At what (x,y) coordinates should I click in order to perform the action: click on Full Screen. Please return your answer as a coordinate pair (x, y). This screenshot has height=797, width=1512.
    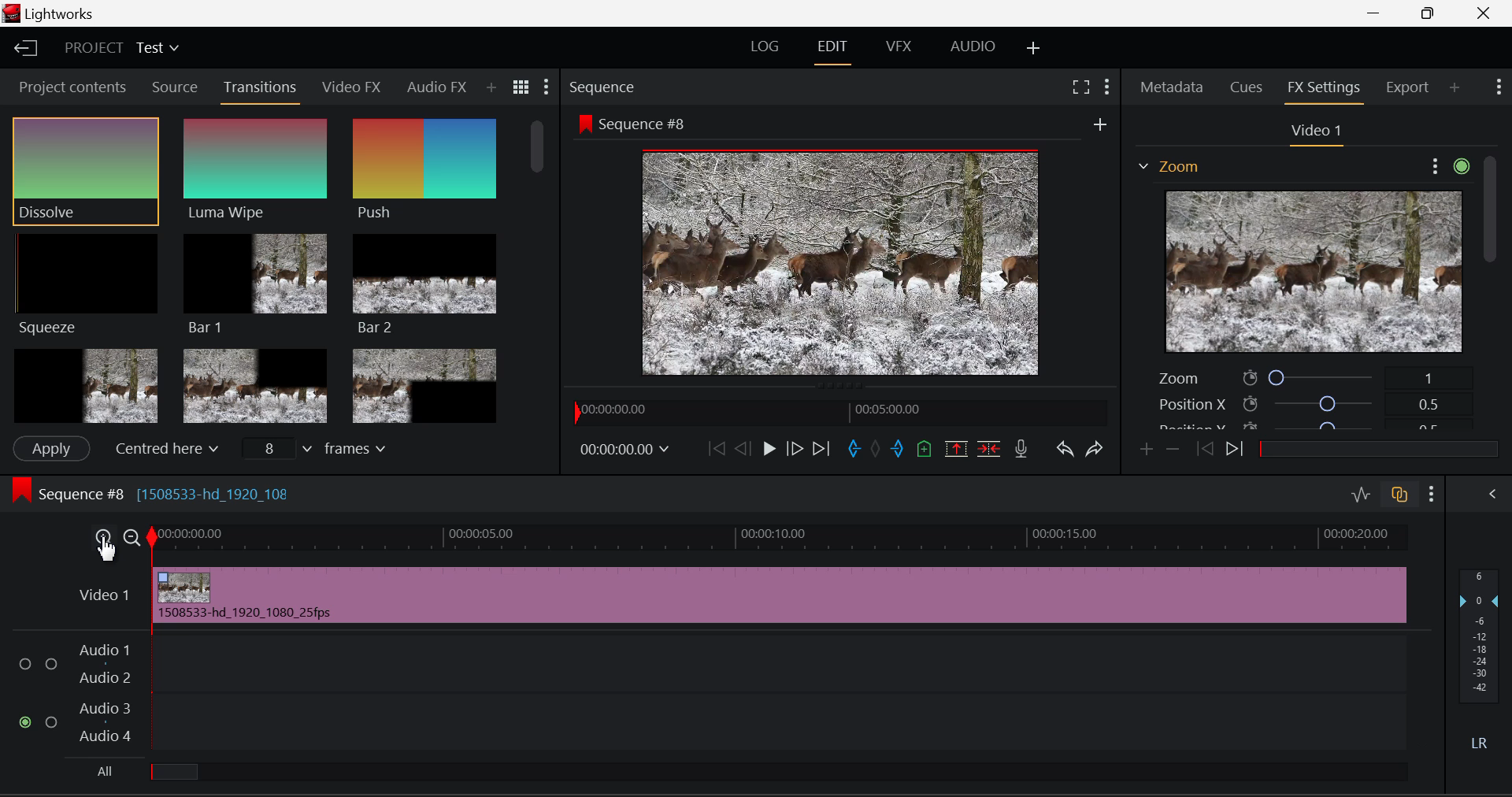
    Looking at the image, I should click on (1080, 86).